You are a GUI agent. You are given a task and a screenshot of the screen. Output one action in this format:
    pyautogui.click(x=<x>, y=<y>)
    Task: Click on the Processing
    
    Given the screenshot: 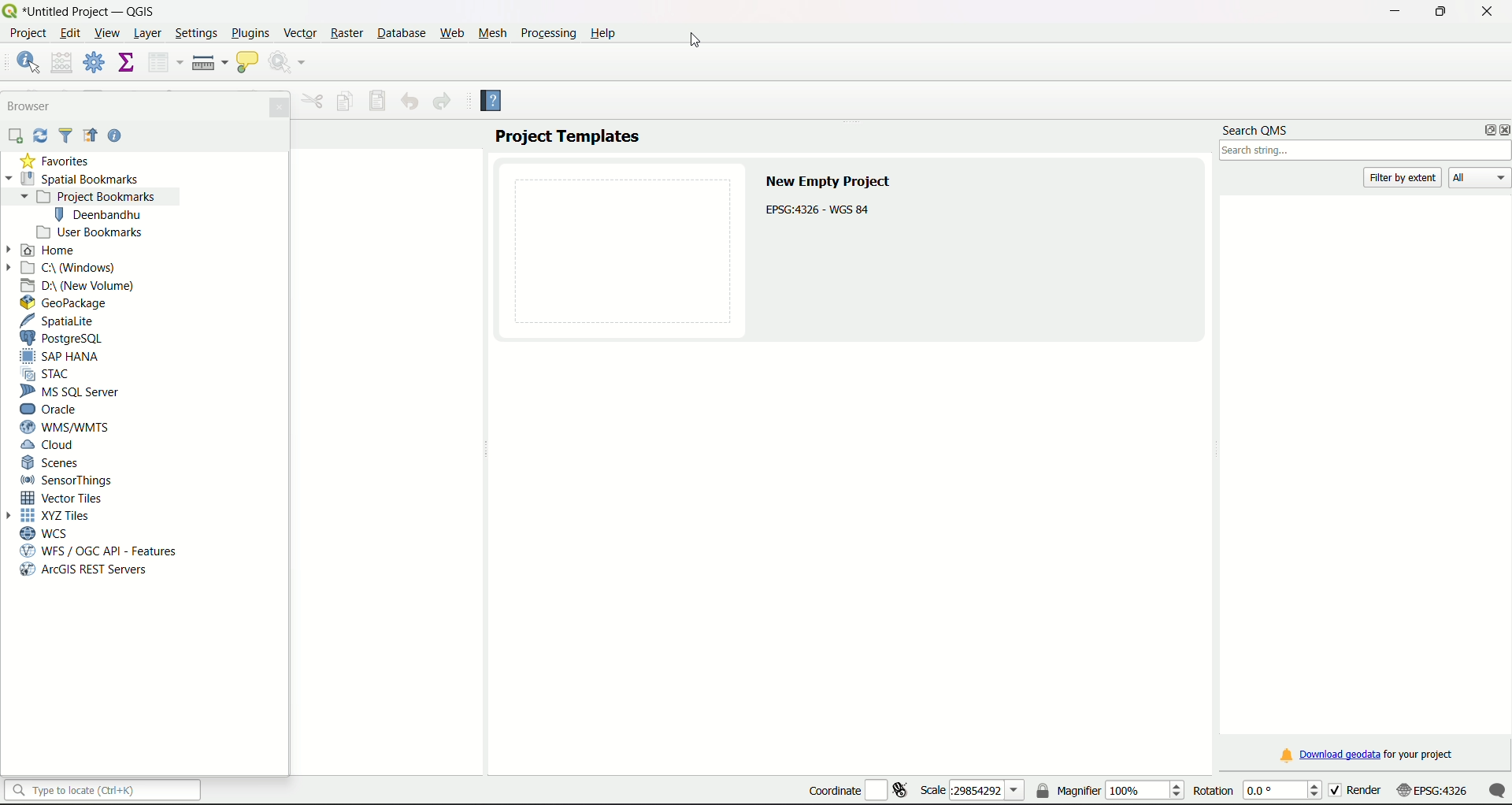 What is the action you would take?
    pyautogui.click(x=547, y=33)
    